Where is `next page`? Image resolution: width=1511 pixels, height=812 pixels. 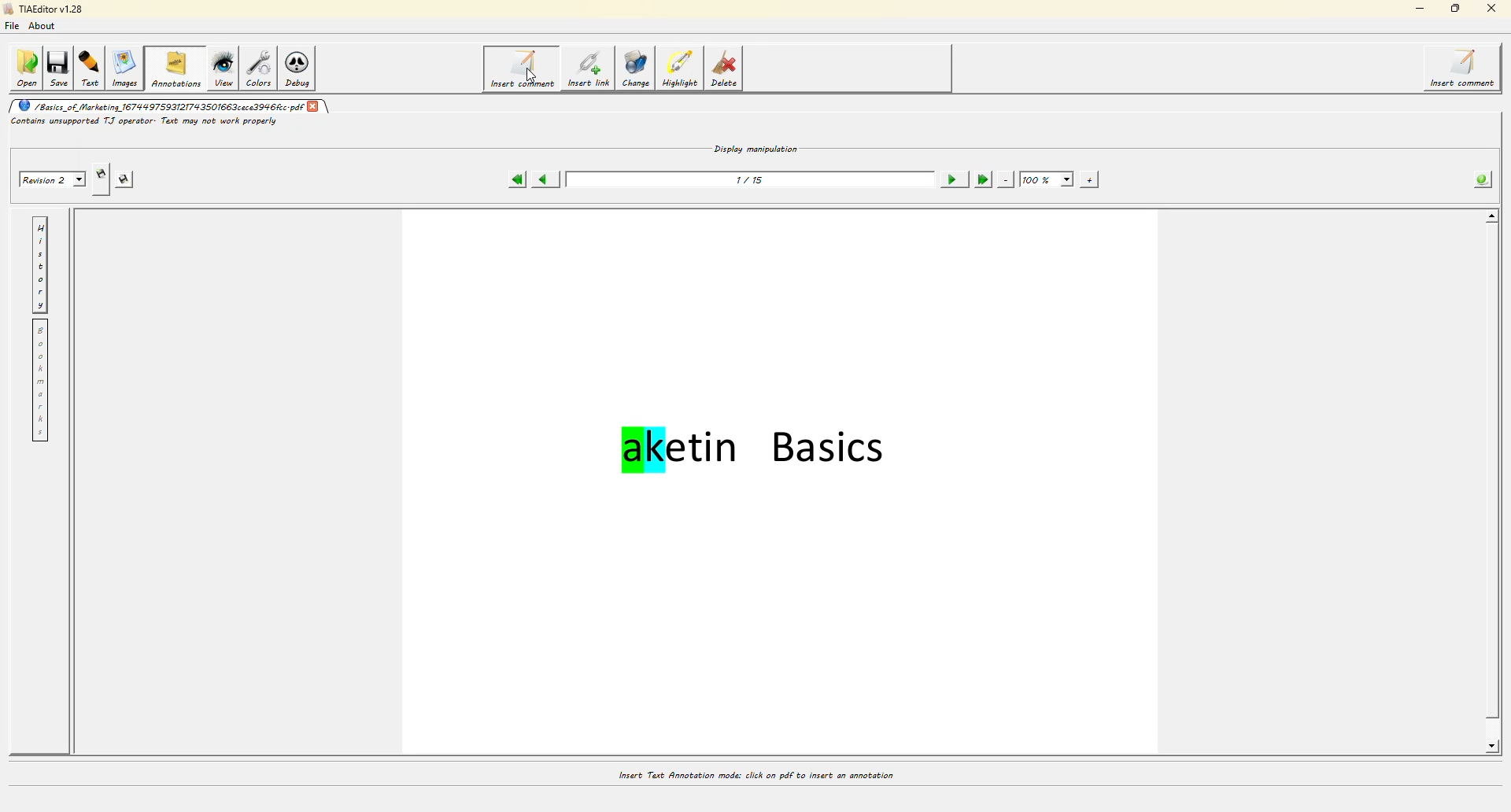
next page is located at coordinates (952, 179).